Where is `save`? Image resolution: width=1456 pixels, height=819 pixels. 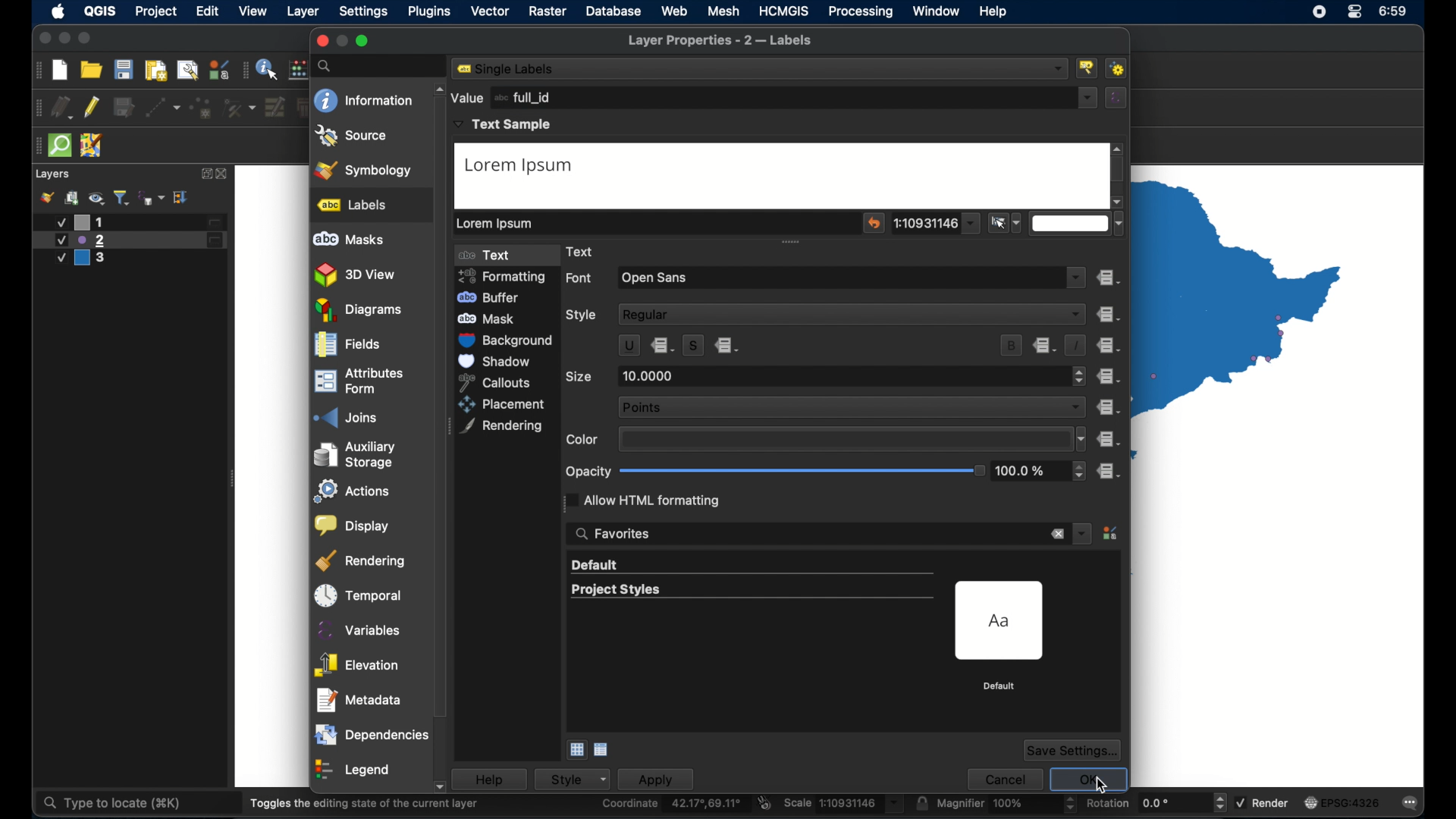 save is located at coordinates (124, 69).